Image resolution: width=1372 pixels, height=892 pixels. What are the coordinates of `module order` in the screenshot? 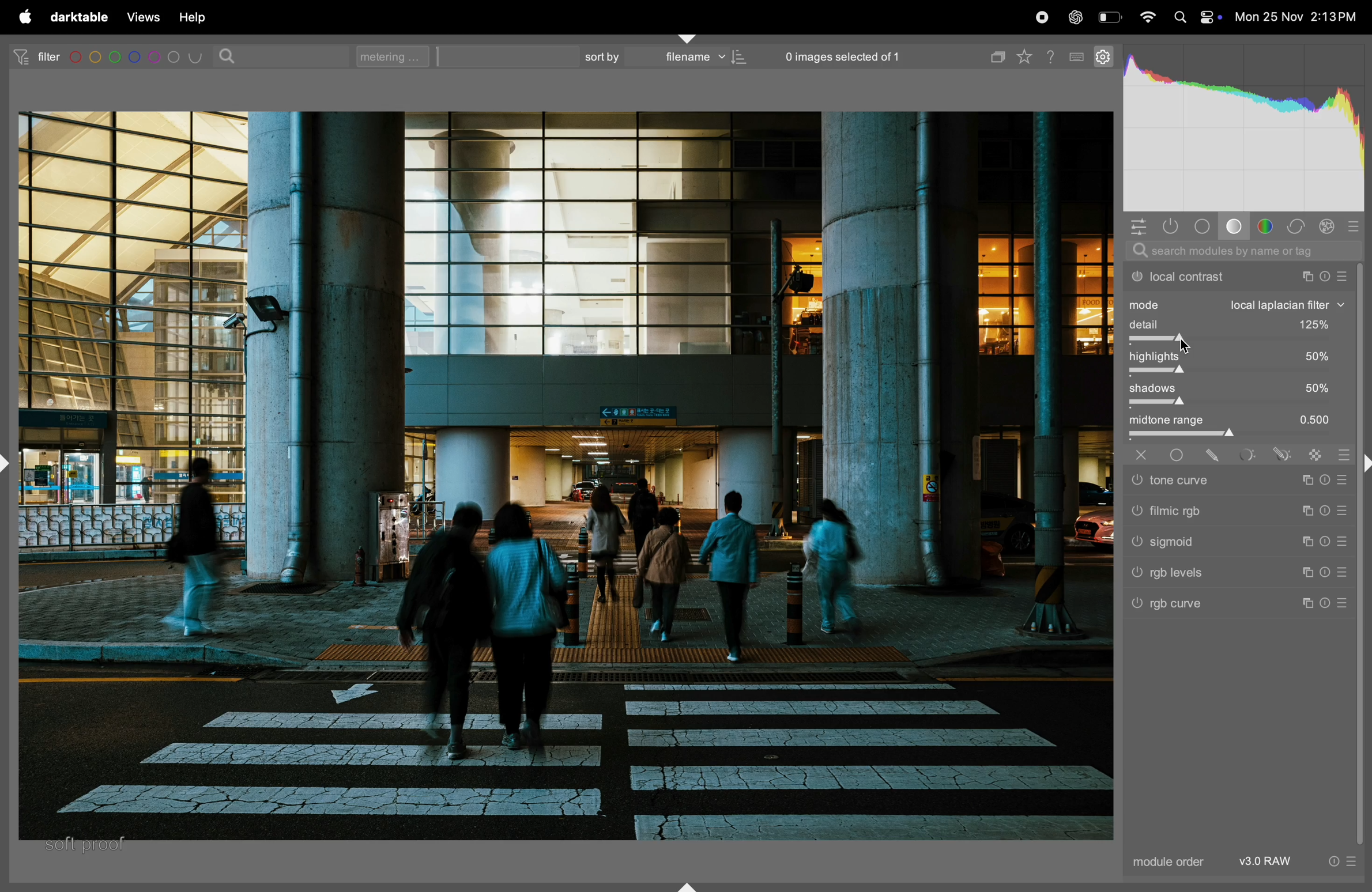 It's located at (1170, 862).